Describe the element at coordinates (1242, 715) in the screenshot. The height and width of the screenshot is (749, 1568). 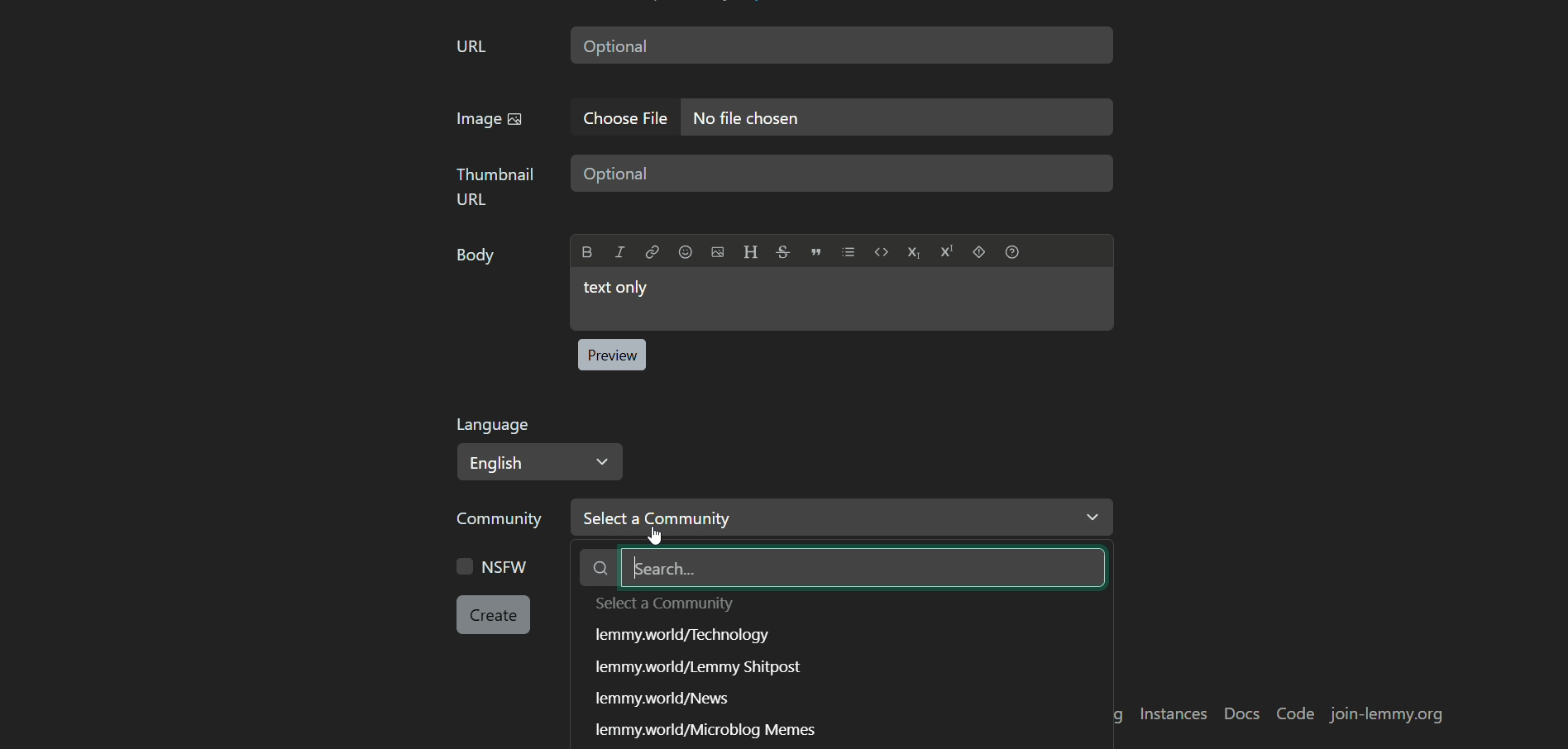
I see `docs` at that location.